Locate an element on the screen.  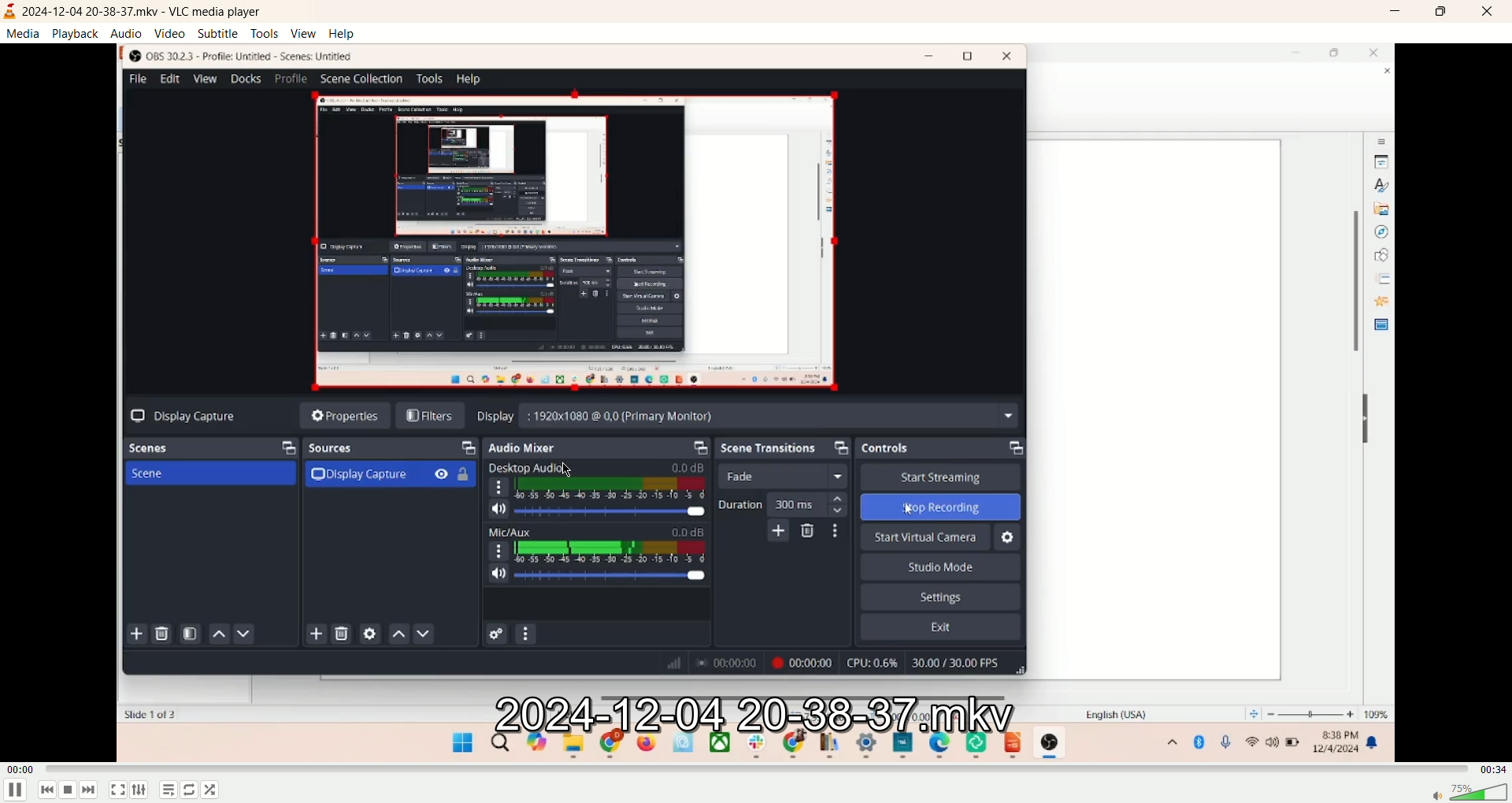
time is located at coordinates (16, 770).